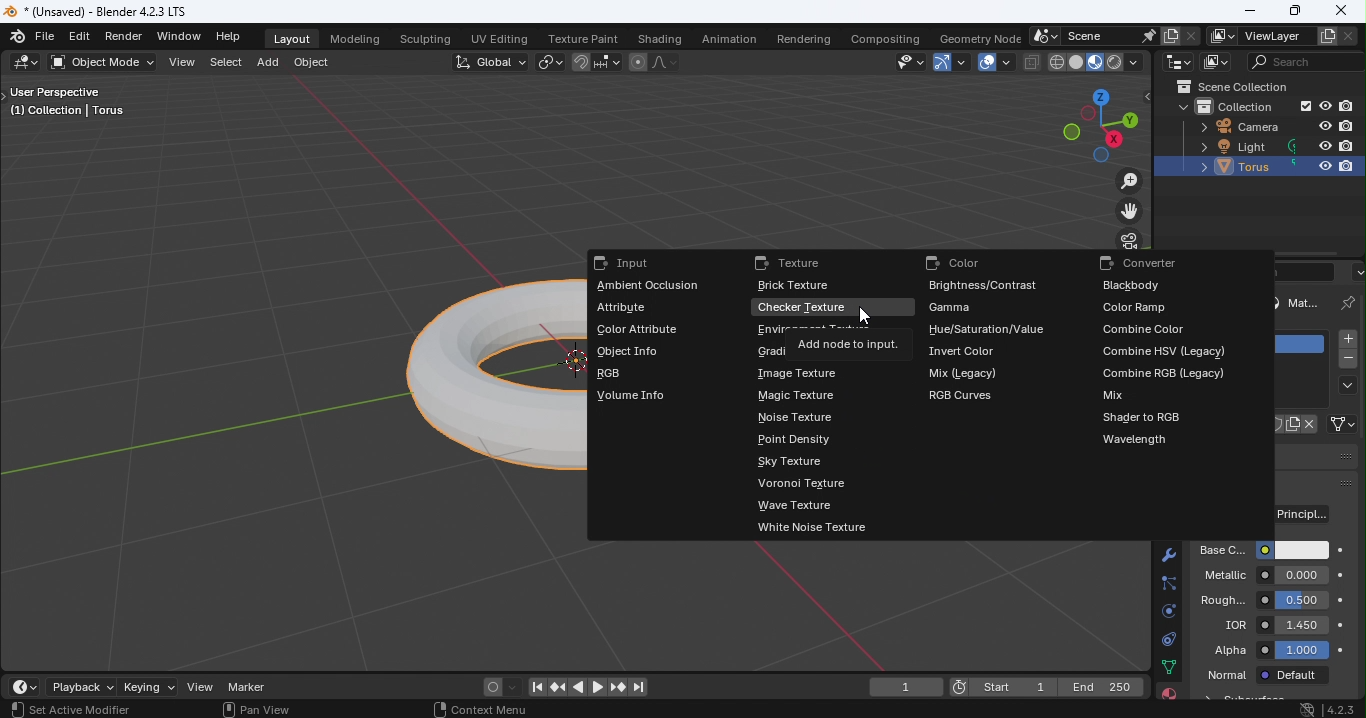 The image size is (1366, 718). What do you see at coordinates (612, 374) in the screenshot?
I see `RGB` at bounding box center [612, 374].